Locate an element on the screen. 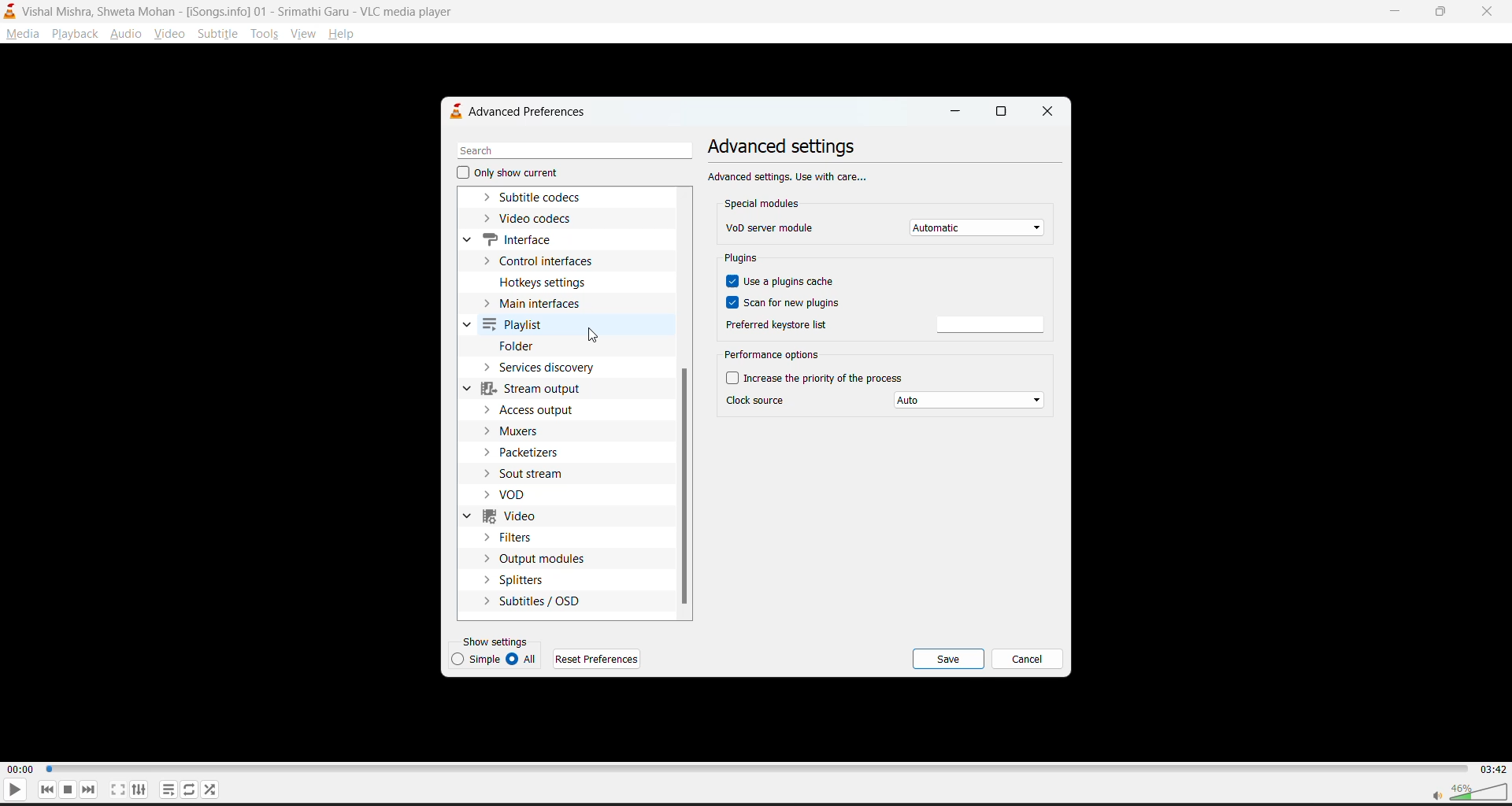 Image resolution: width=1512 pixels, height=806 pixels. track slider is located at coordinates (754, 767).